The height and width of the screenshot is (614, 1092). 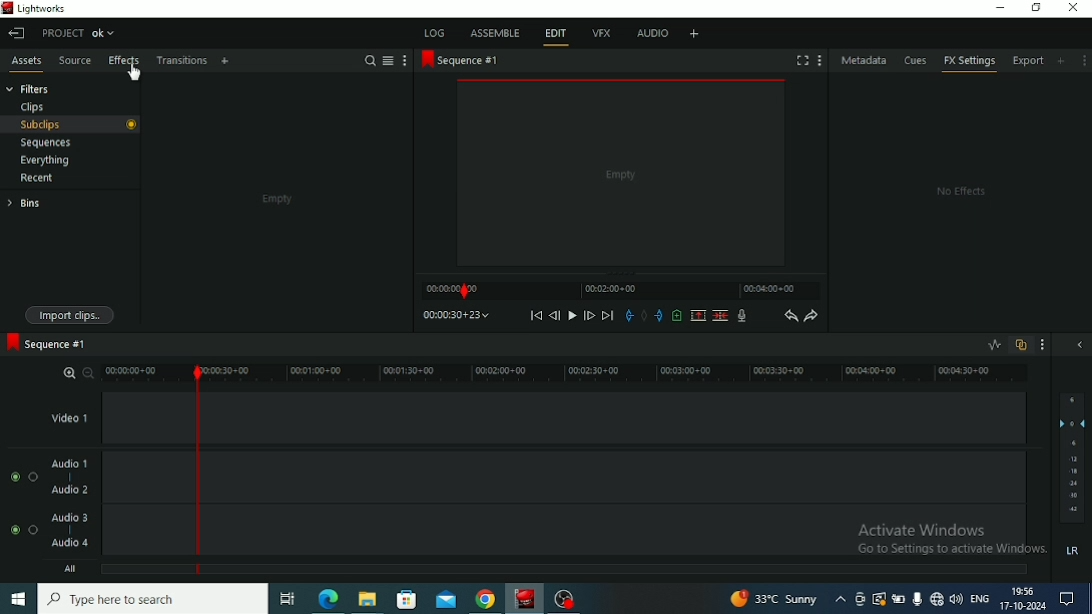 I want to click on Filters, so click(x=33, y=88).